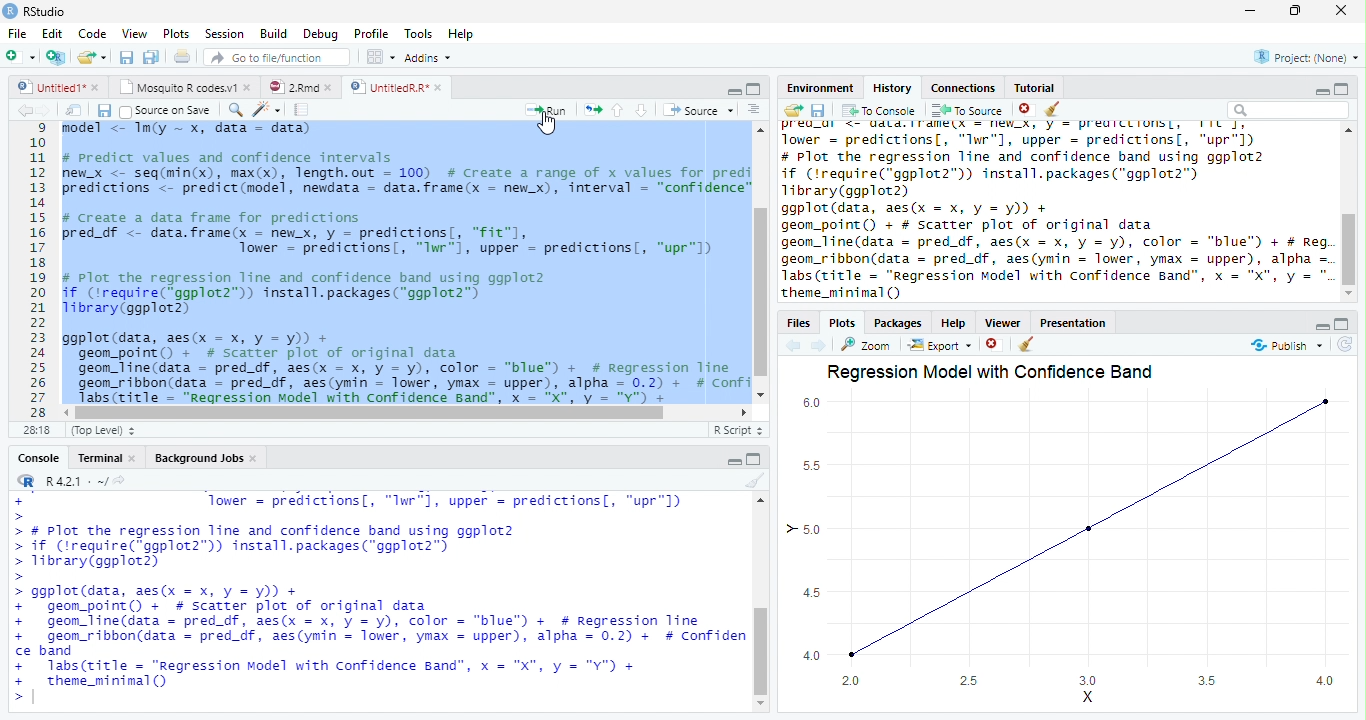 This screenshot has height=720, width=1366. Describe the element at coordinates (1035, 88) in the screenshot. I see `Tutorial` at that location.